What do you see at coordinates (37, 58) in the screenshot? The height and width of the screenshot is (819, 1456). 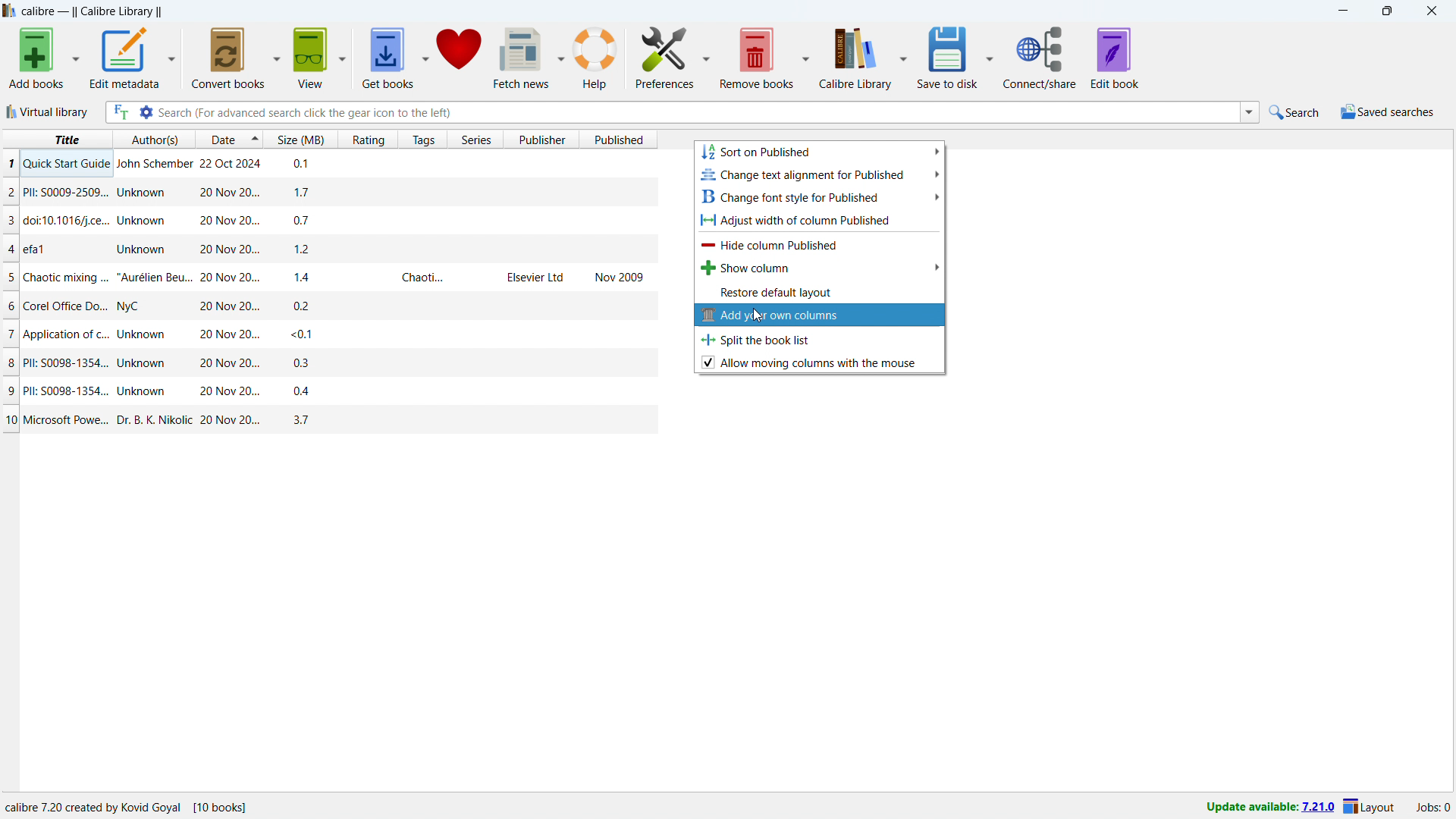 I see `add books` at bounding box center [37, 58].